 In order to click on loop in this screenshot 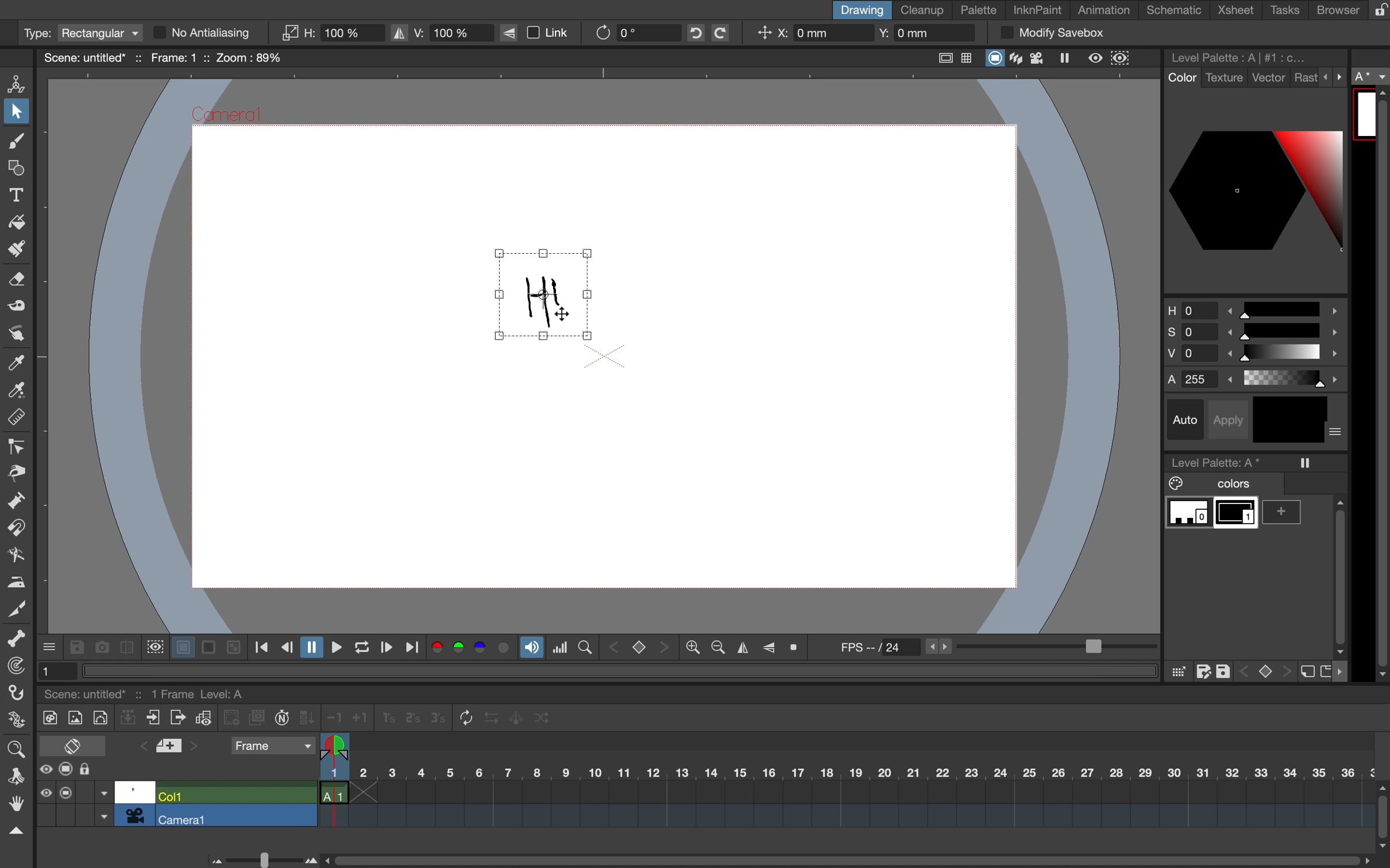, I will do `click(357, 648)`.